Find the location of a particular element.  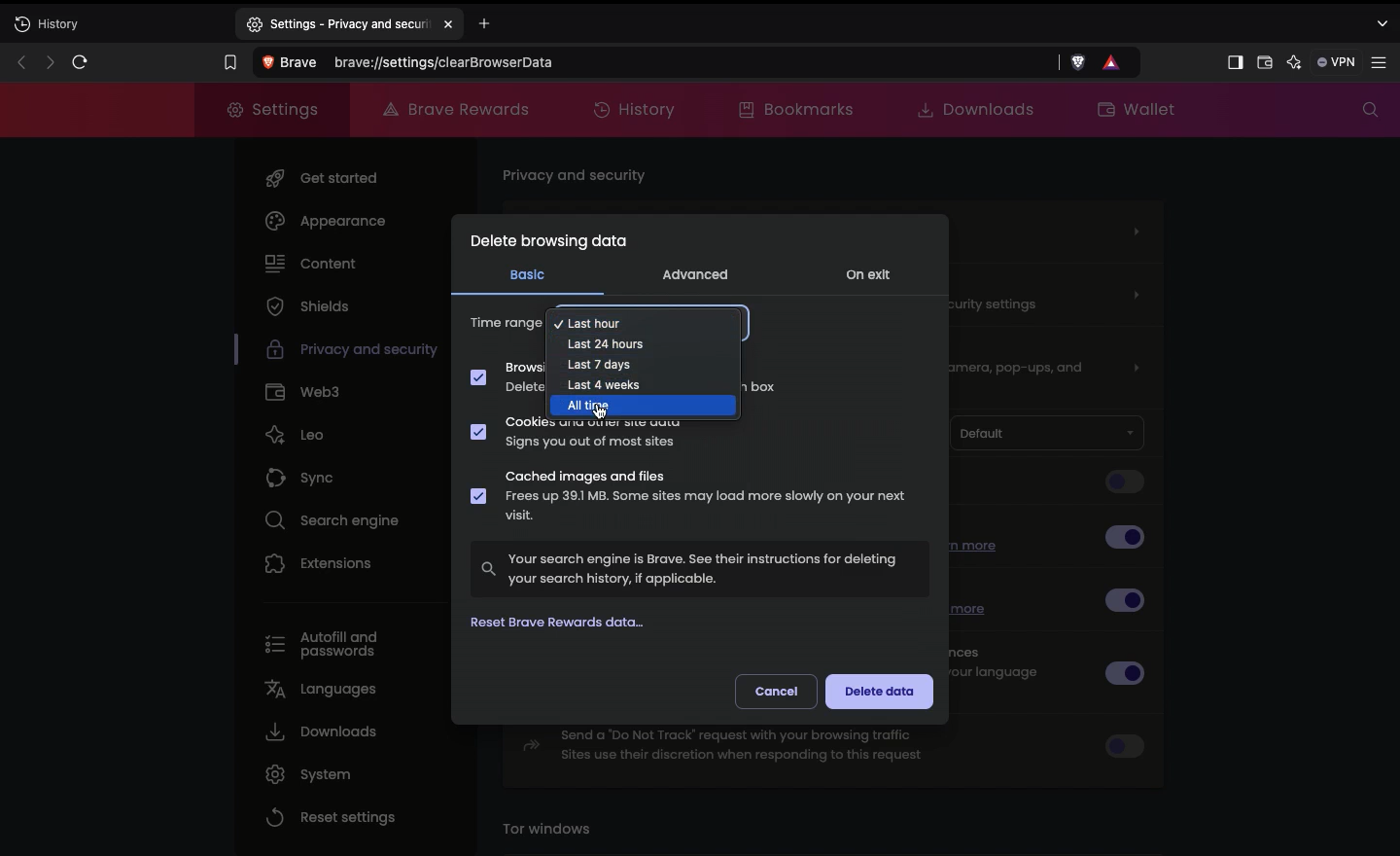

New tab is located at coordinates (116, 26).